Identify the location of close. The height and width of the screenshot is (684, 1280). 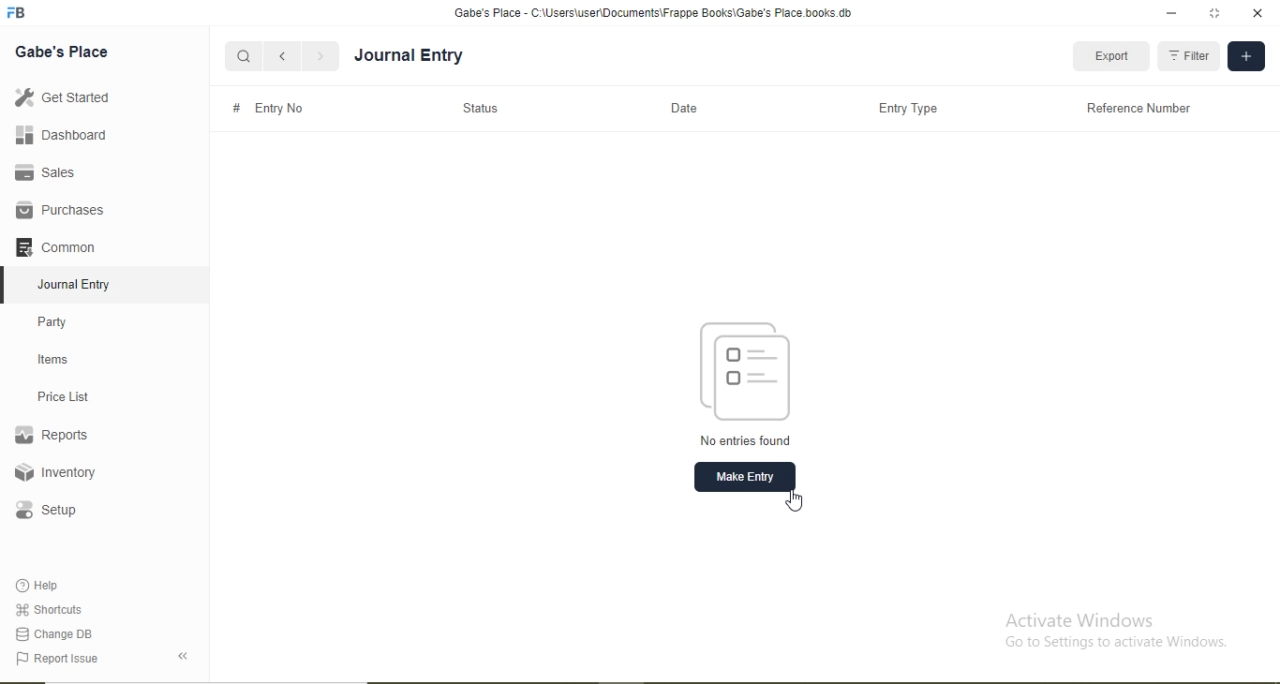
(1259, 13).